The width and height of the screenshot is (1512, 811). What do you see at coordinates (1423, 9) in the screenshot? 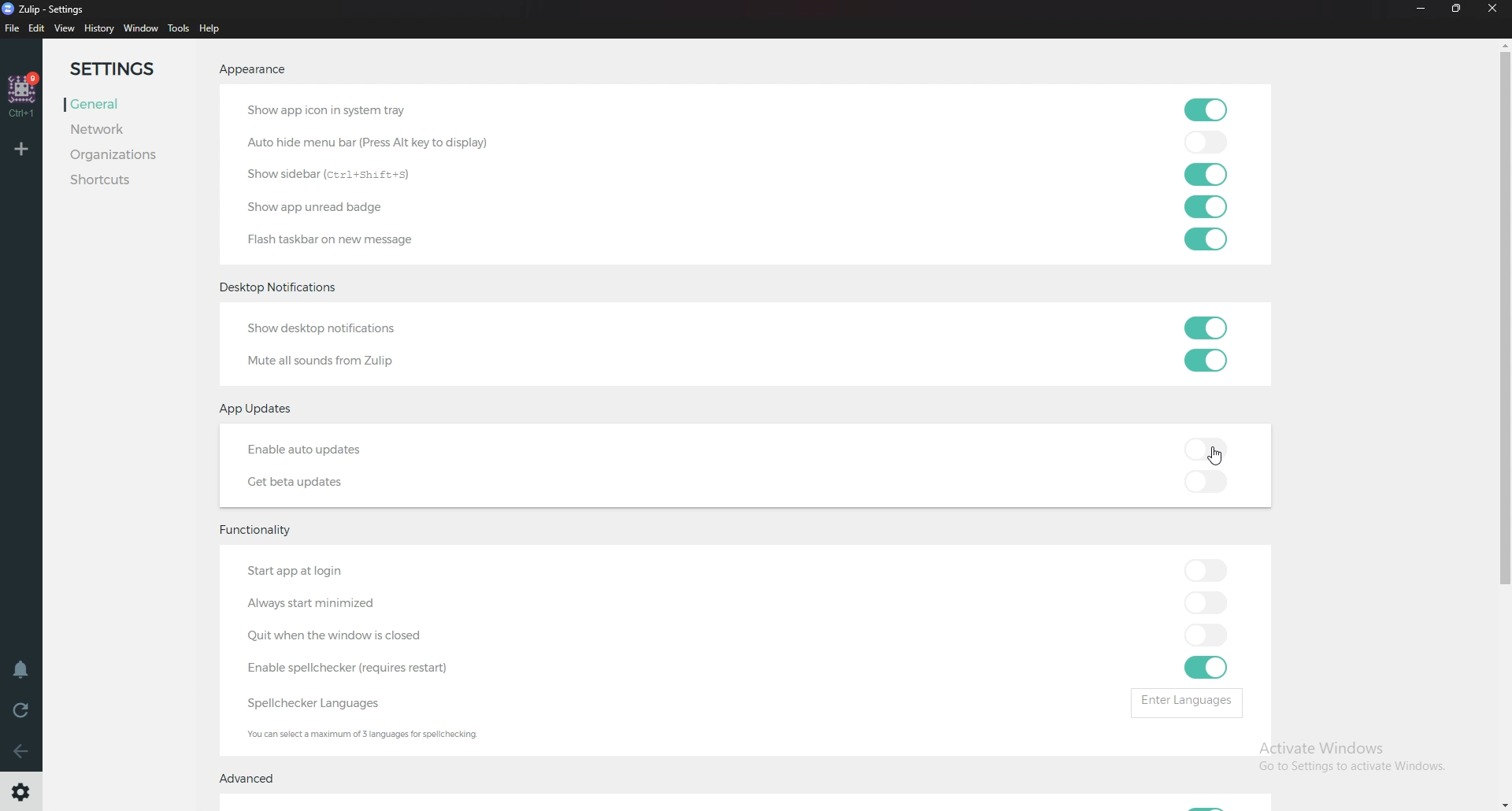
I see `Minimize` at bounding box center [1423, 9].